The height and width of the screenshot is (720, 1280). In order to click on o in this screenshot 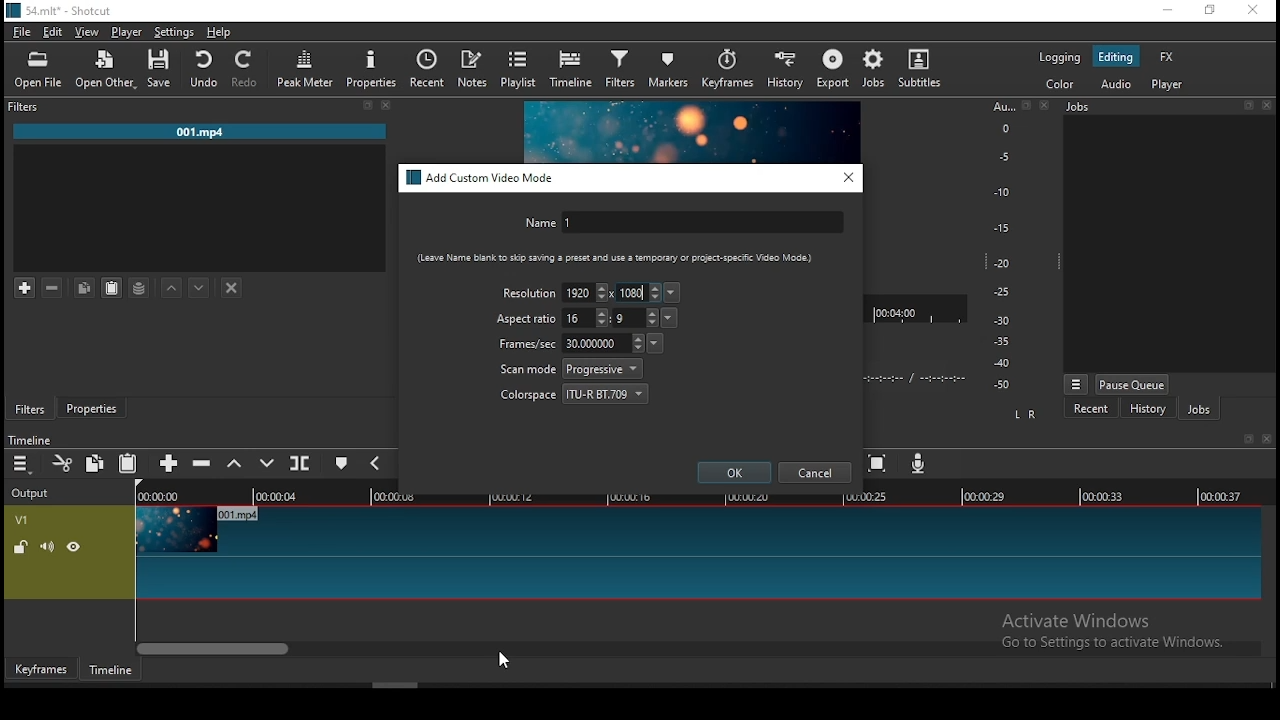, I will do `click(998, 127)`.